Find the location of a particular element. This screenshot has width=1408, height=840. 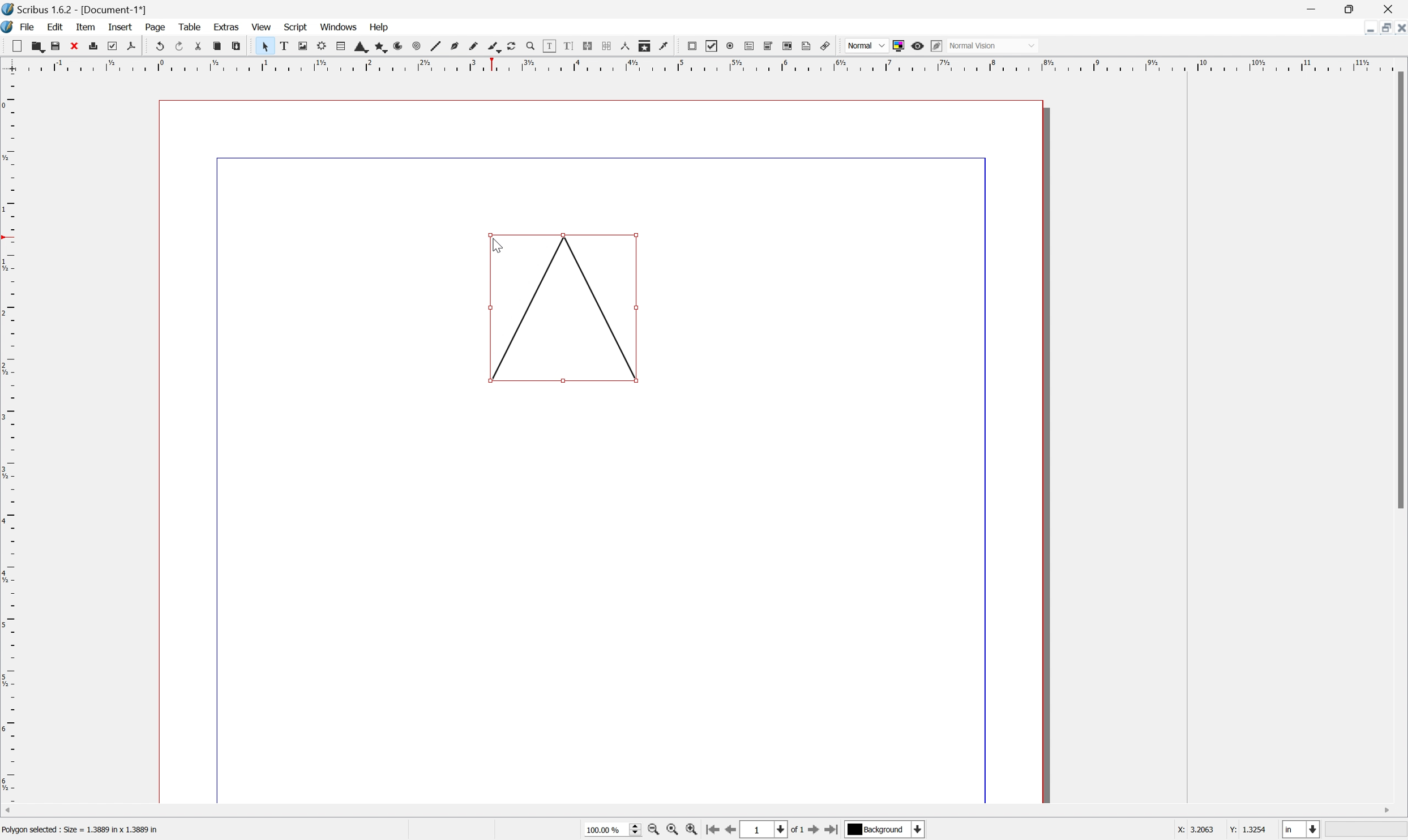

Edit text with story editor is located at coordinates (564, 47).